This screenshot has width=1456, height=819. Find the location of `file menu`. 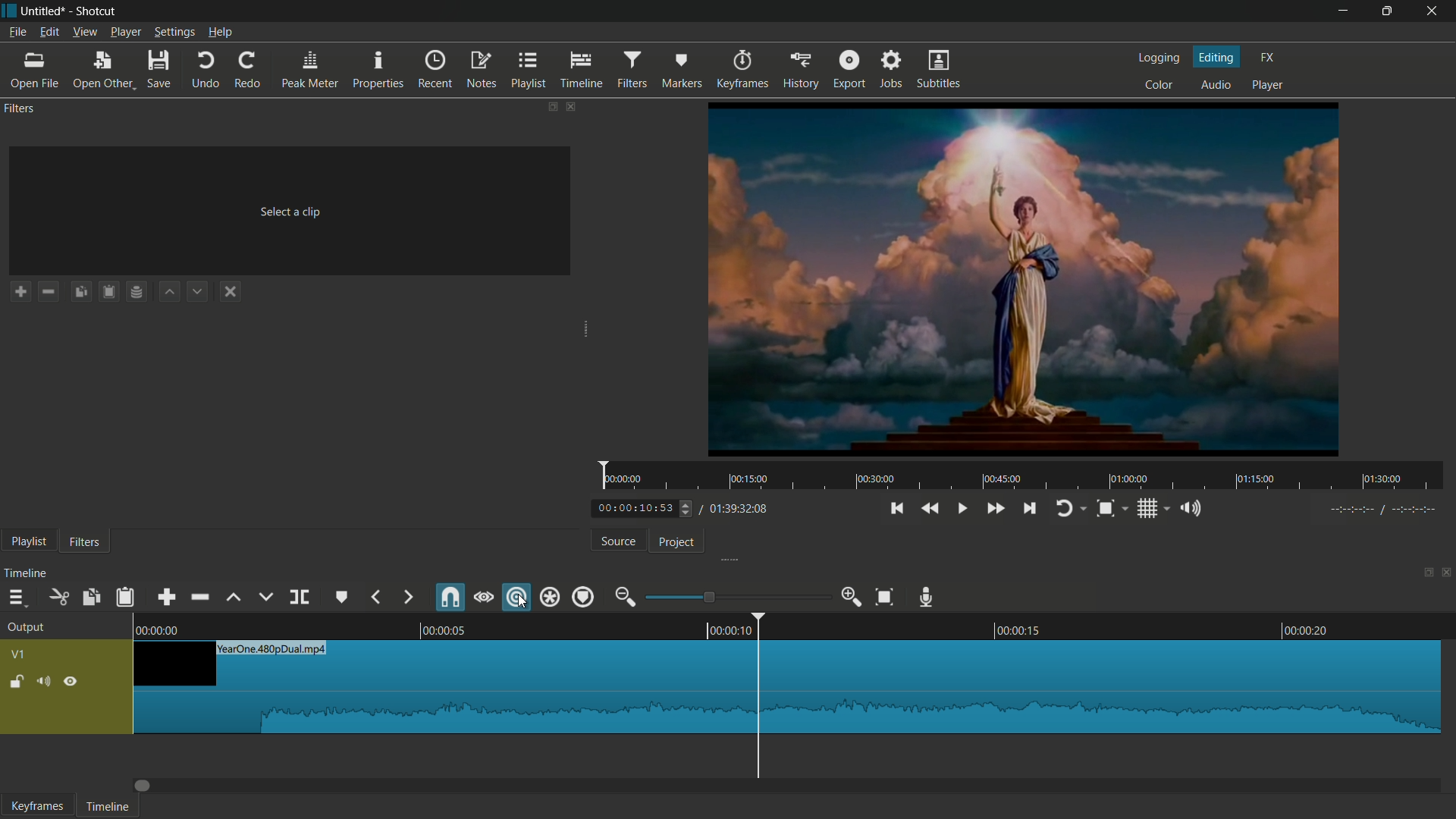

file menu is located at coordinates (17, 33).